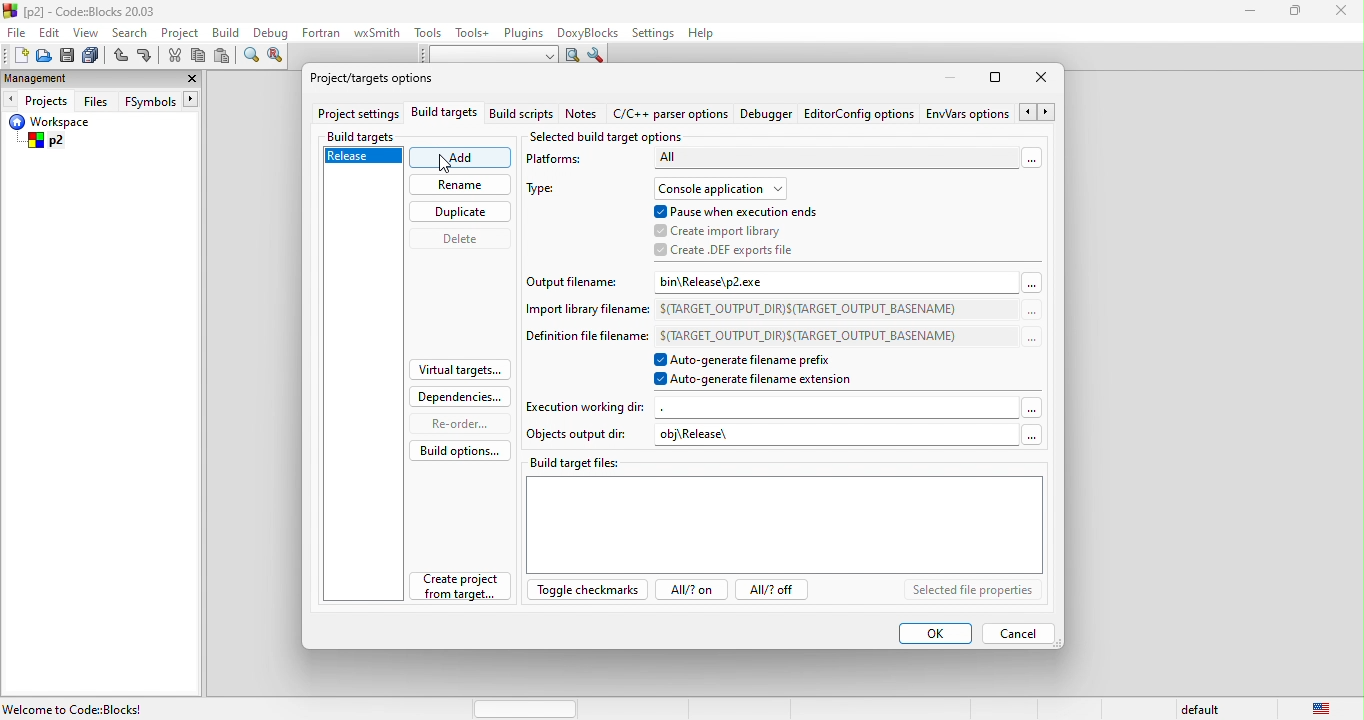 This screenshot has height=720, width=1364. What do you see at coordinates (75, 709) in the screenshot?
I see `Welcome to Code::Blocks!` at bounding box center [75, 709].